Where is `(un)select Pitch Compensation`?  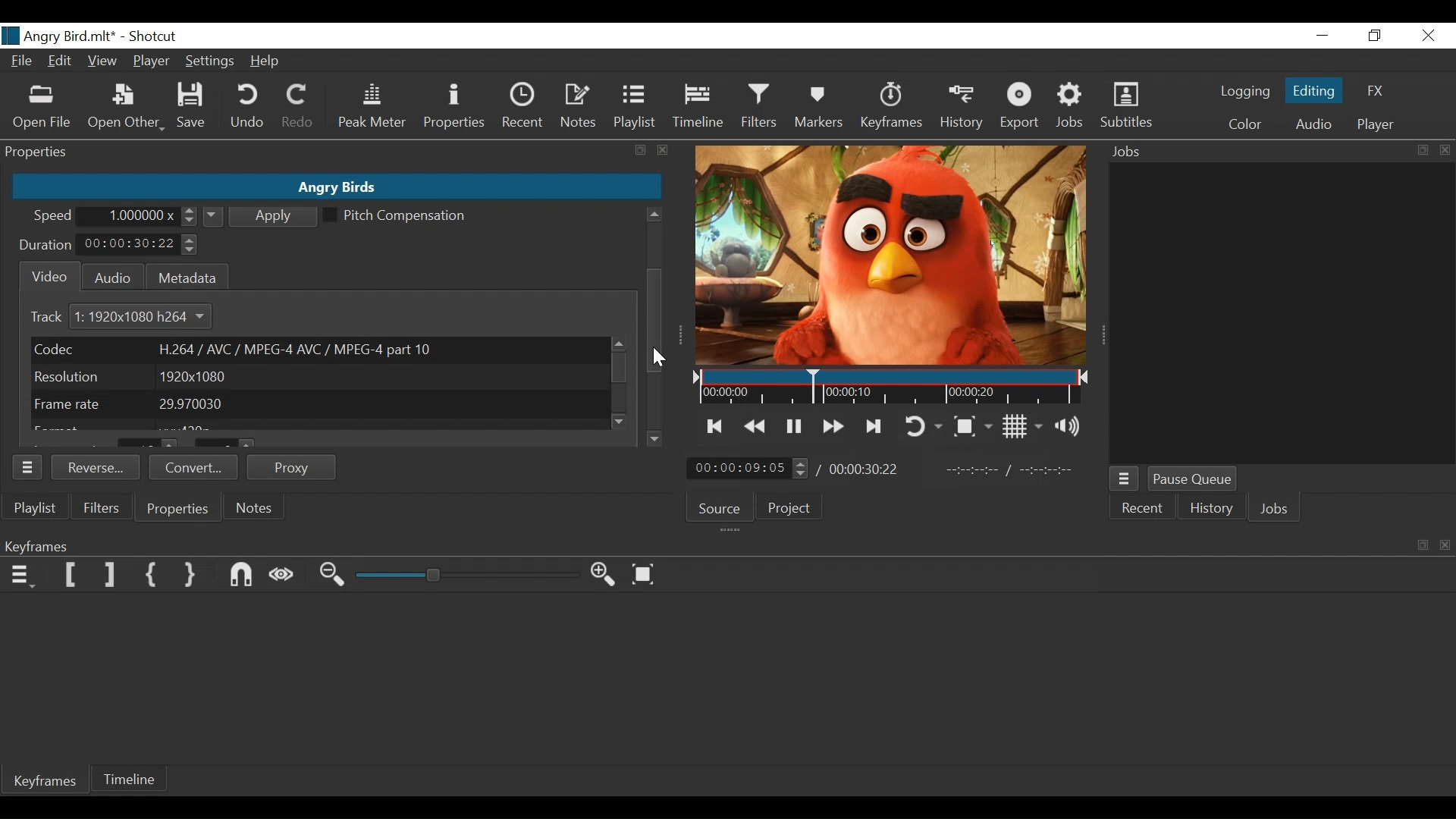 (un)select Pitch Compensation is located at coordinates (395, 216).